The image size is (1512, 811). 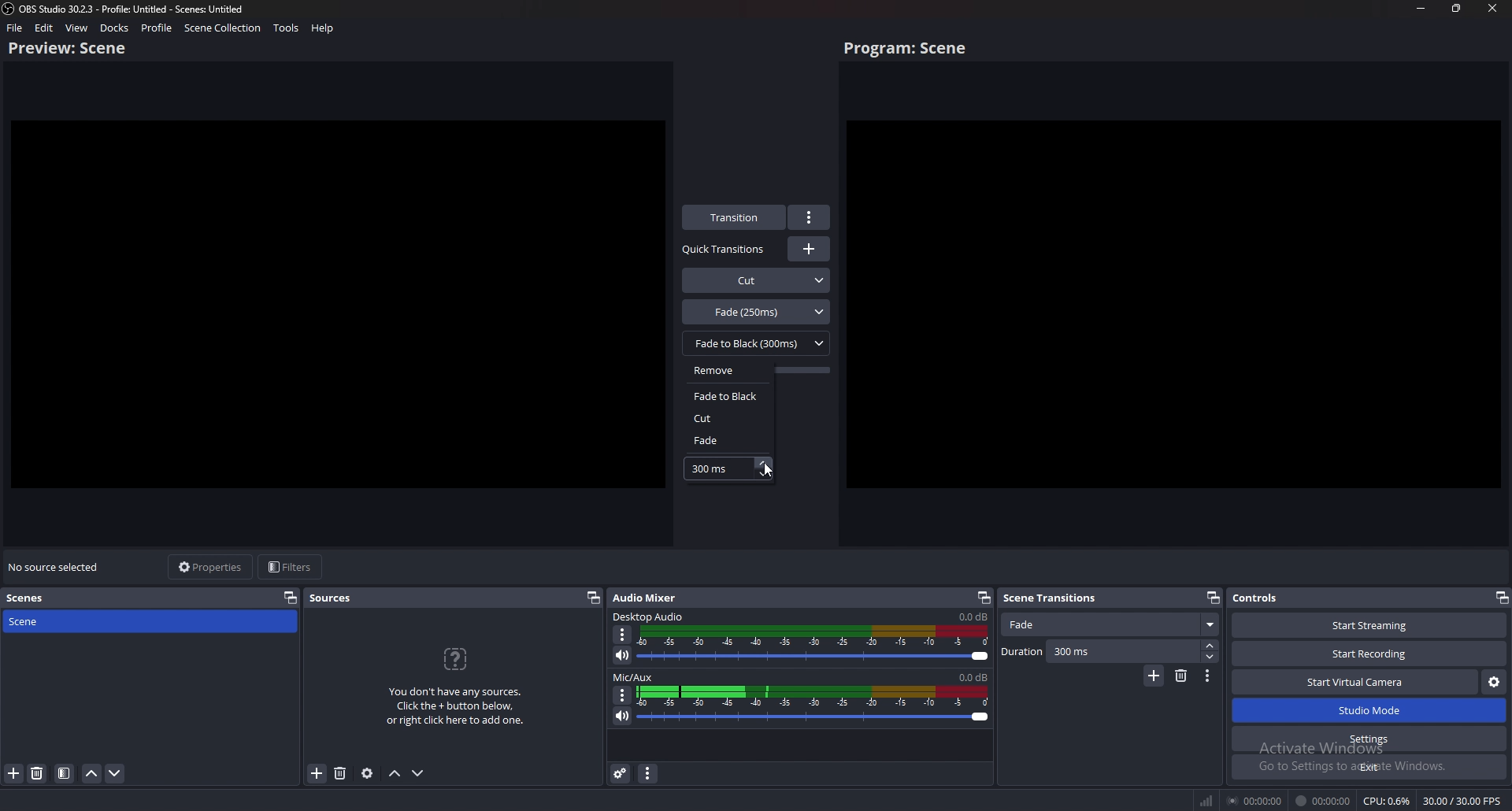 I want to click on Options, so click(x=621, y=694).